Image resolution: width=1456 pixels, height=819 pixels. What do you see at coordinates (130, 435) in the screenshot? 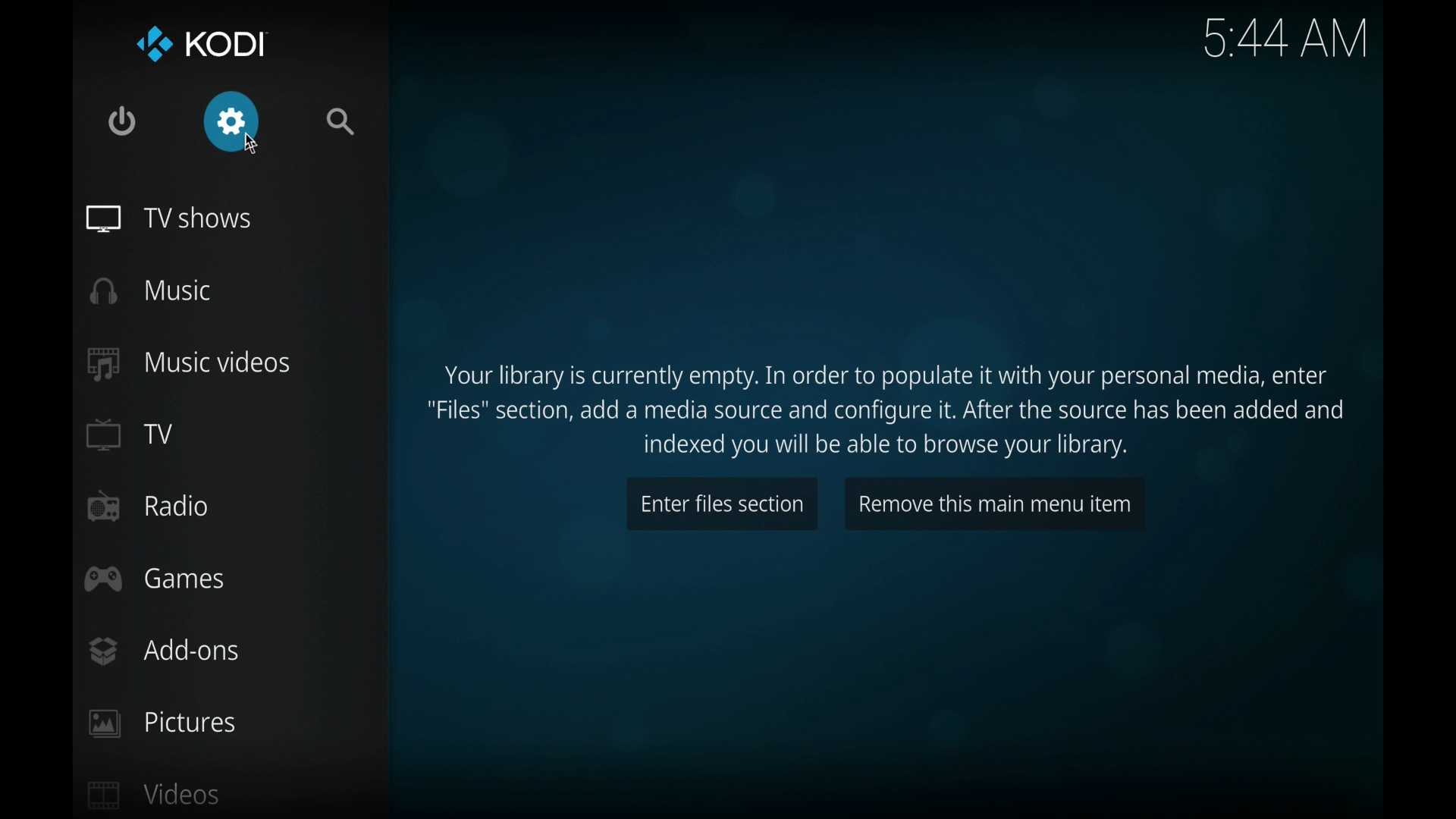
I see `Tv` at bounding box center [130, 435].